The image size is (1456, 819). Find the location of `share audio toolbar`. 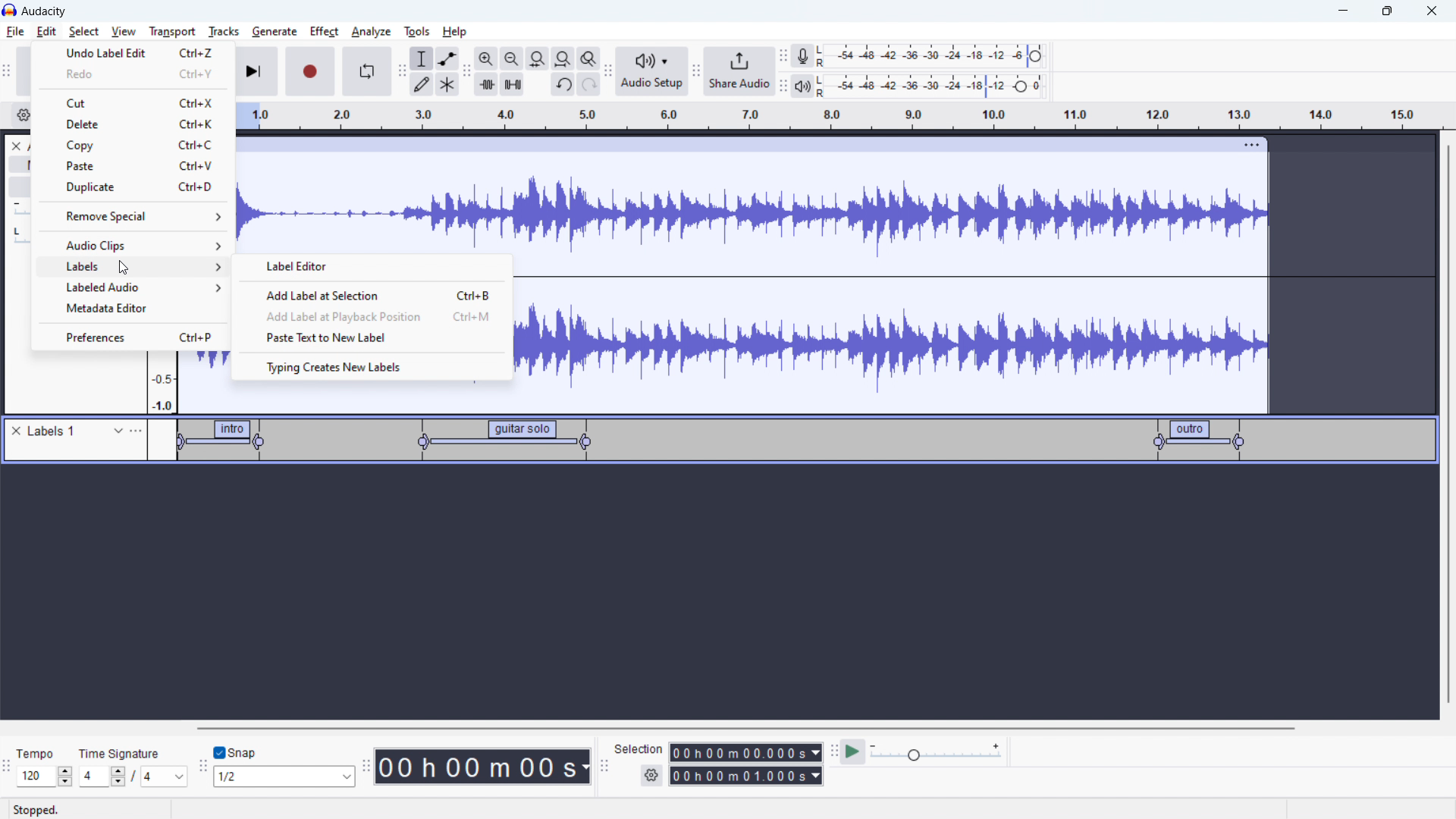

share audio toolbar is located at coordinates (696, 73).